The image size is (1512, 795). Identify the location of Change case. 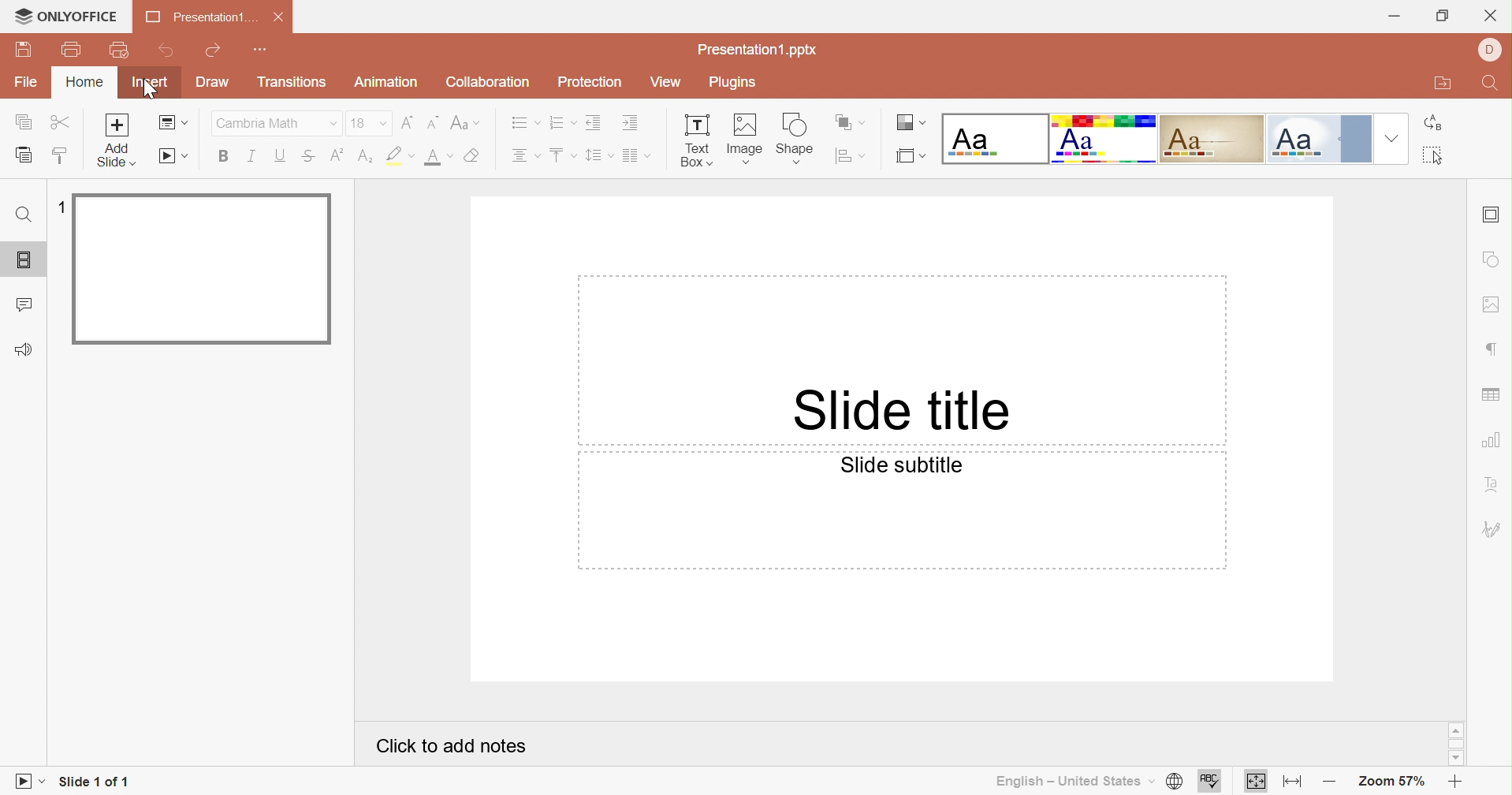
(468, 126).